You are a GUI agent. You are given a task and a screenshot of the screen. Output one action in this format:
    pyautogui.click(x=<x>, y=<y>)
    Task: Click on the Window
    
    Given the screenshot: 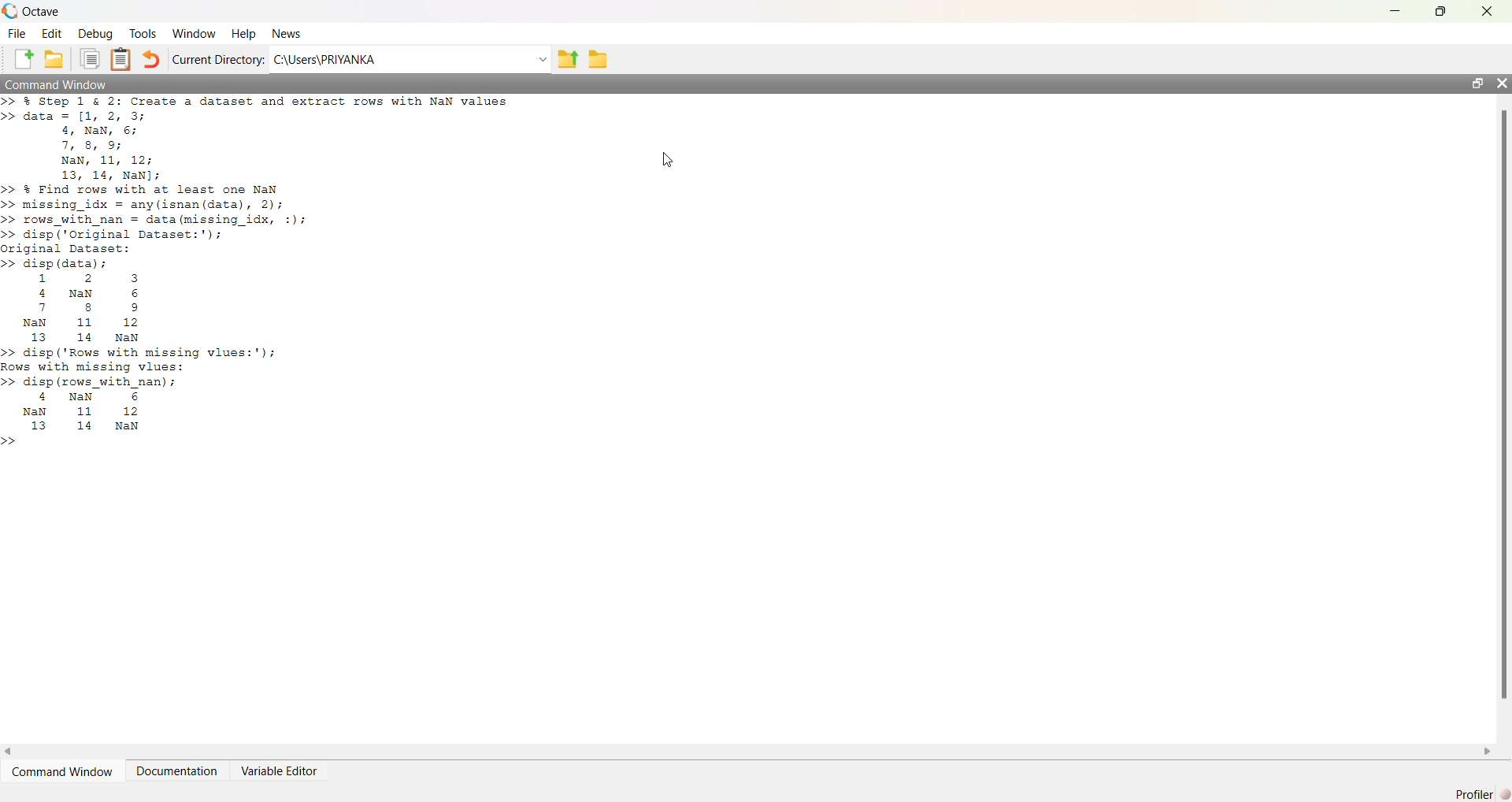 What is the action you would take?
    pyautogui.click(x=195, y=34)
    